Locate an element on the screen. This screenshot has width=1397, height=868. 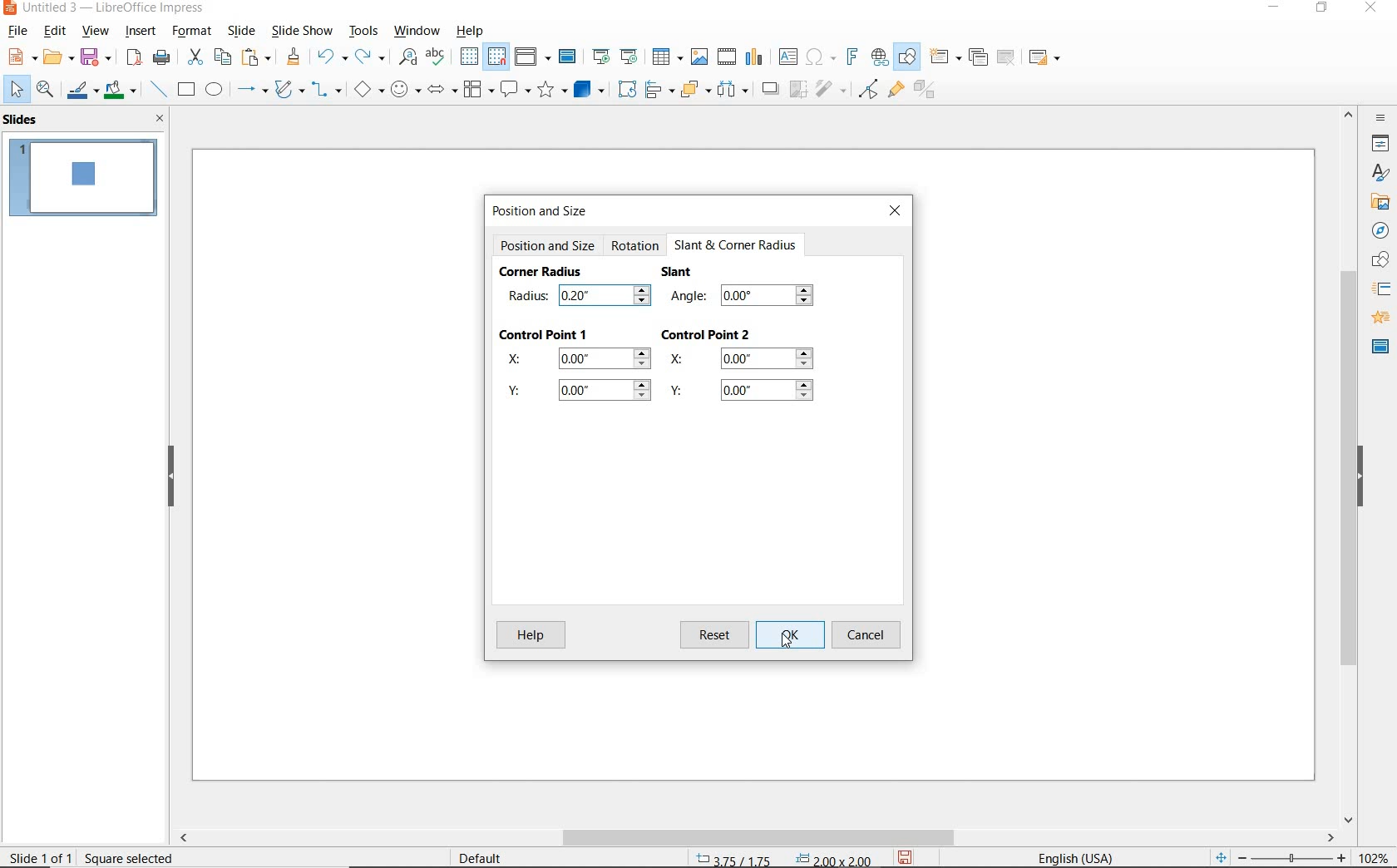
cursor is located at coordinates (785, 640).